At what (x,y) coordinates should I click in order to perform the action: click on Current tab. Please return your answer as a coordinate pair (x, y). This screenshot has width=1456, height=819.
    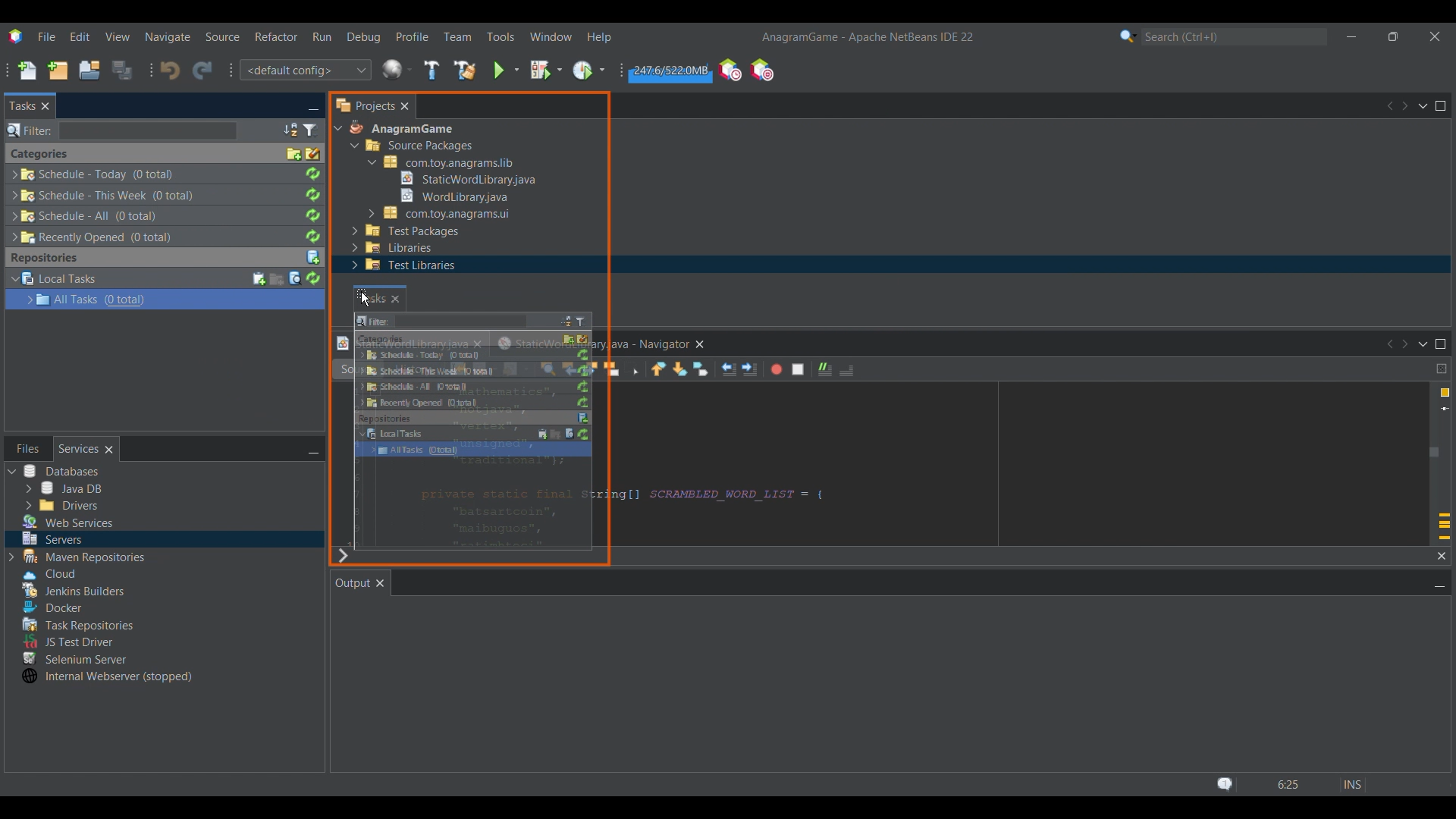
    Looking at the image, I should click on (79, 449).